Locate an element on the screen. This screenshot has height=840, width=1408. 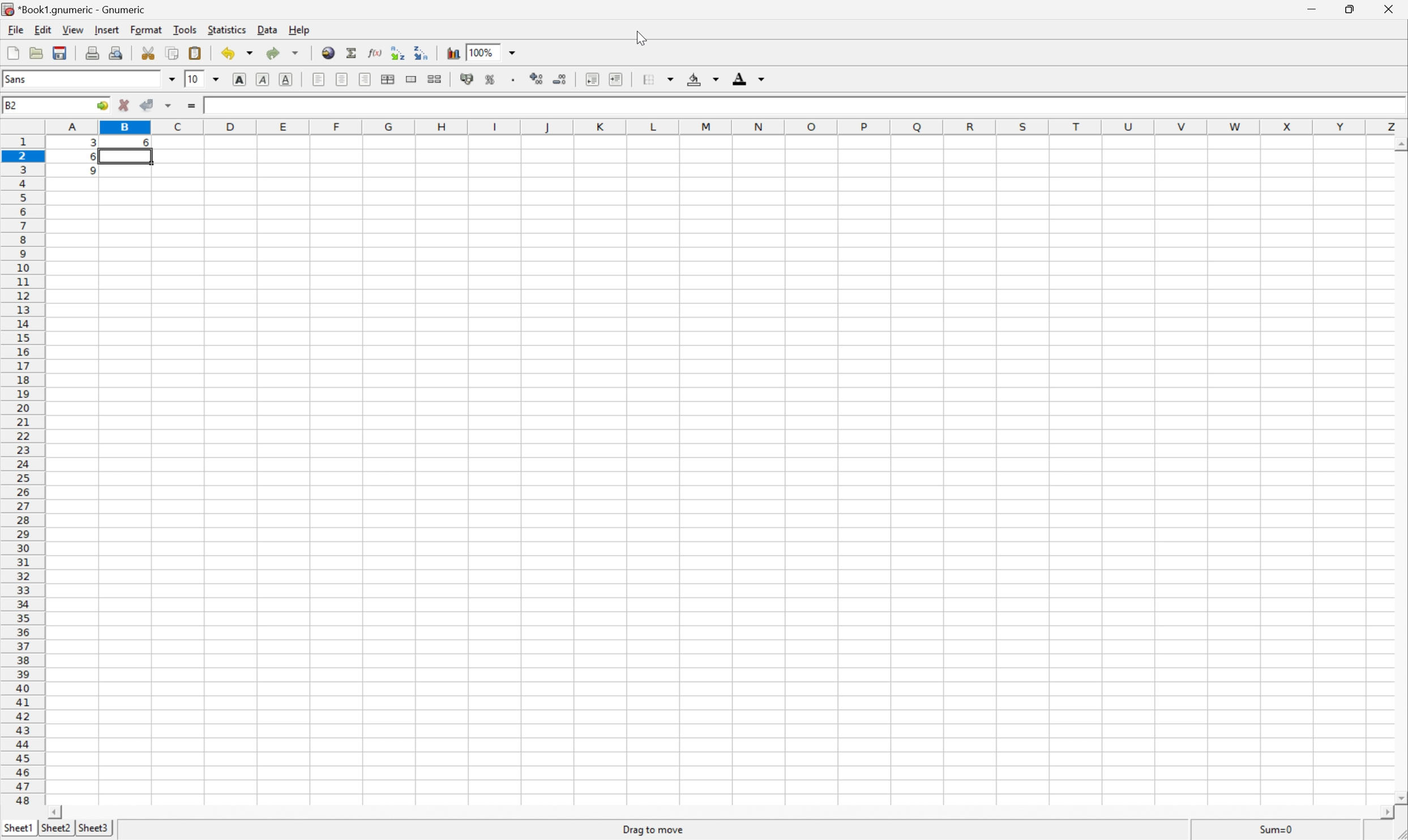
Row numbers is located at coordinates (22, 470).